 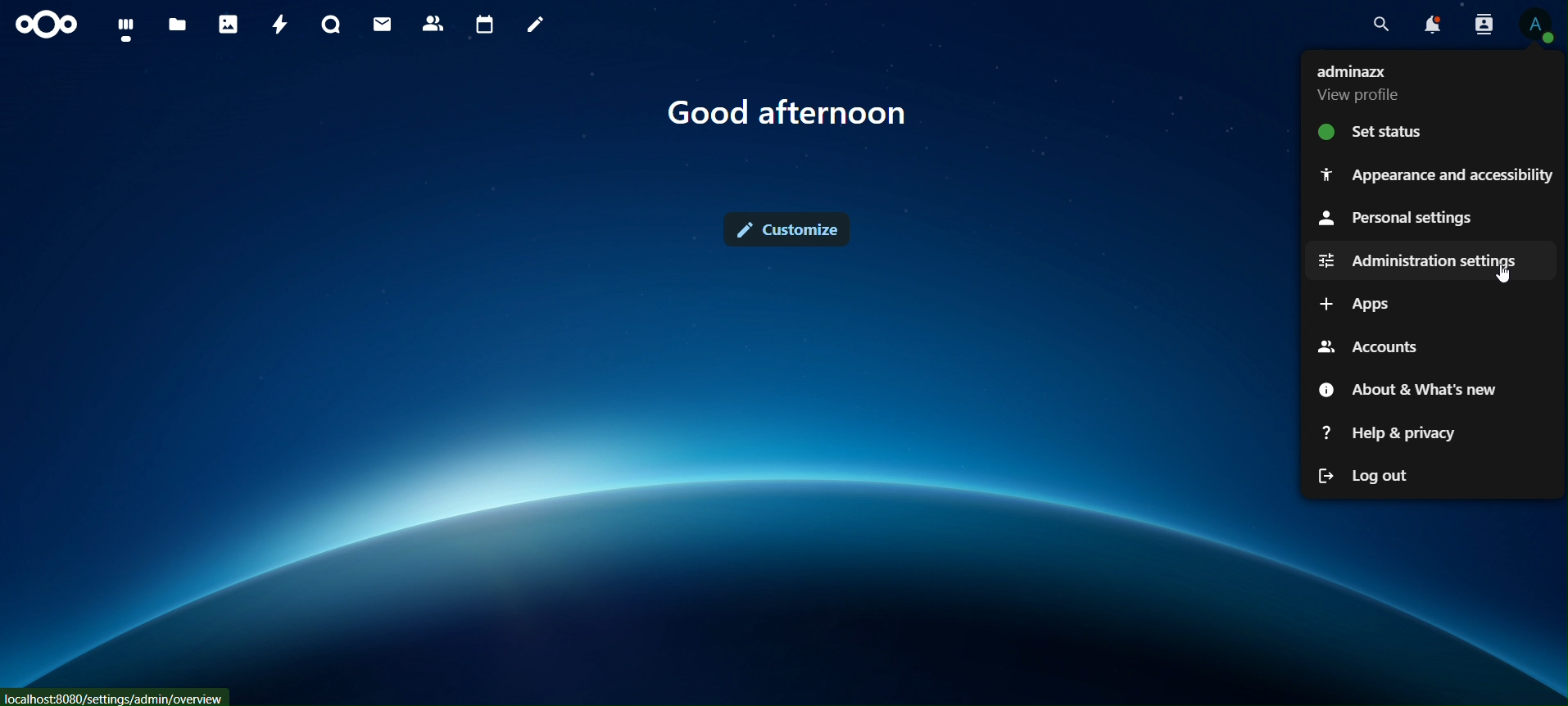 What do you see at coordinates (484, 26) in the screenshot?
I see `calendar` at bounding box center [484, 26].